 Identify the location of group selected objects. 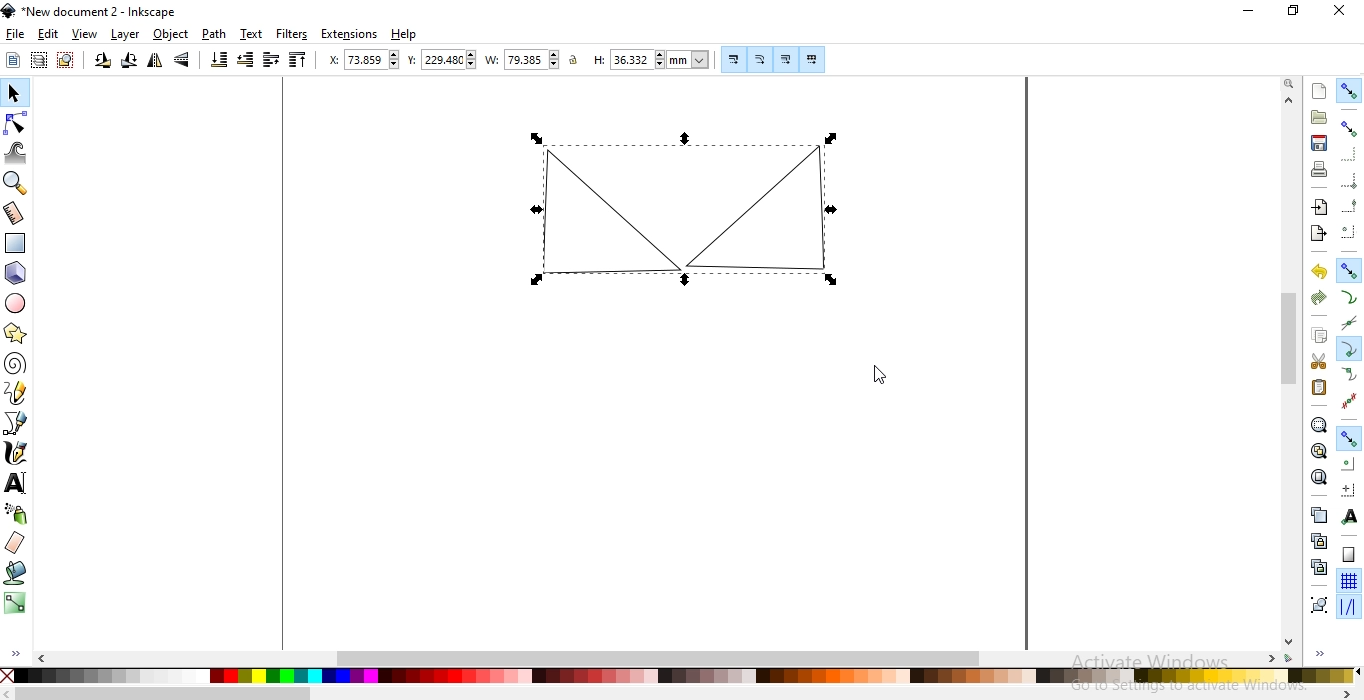
(1321, 605).